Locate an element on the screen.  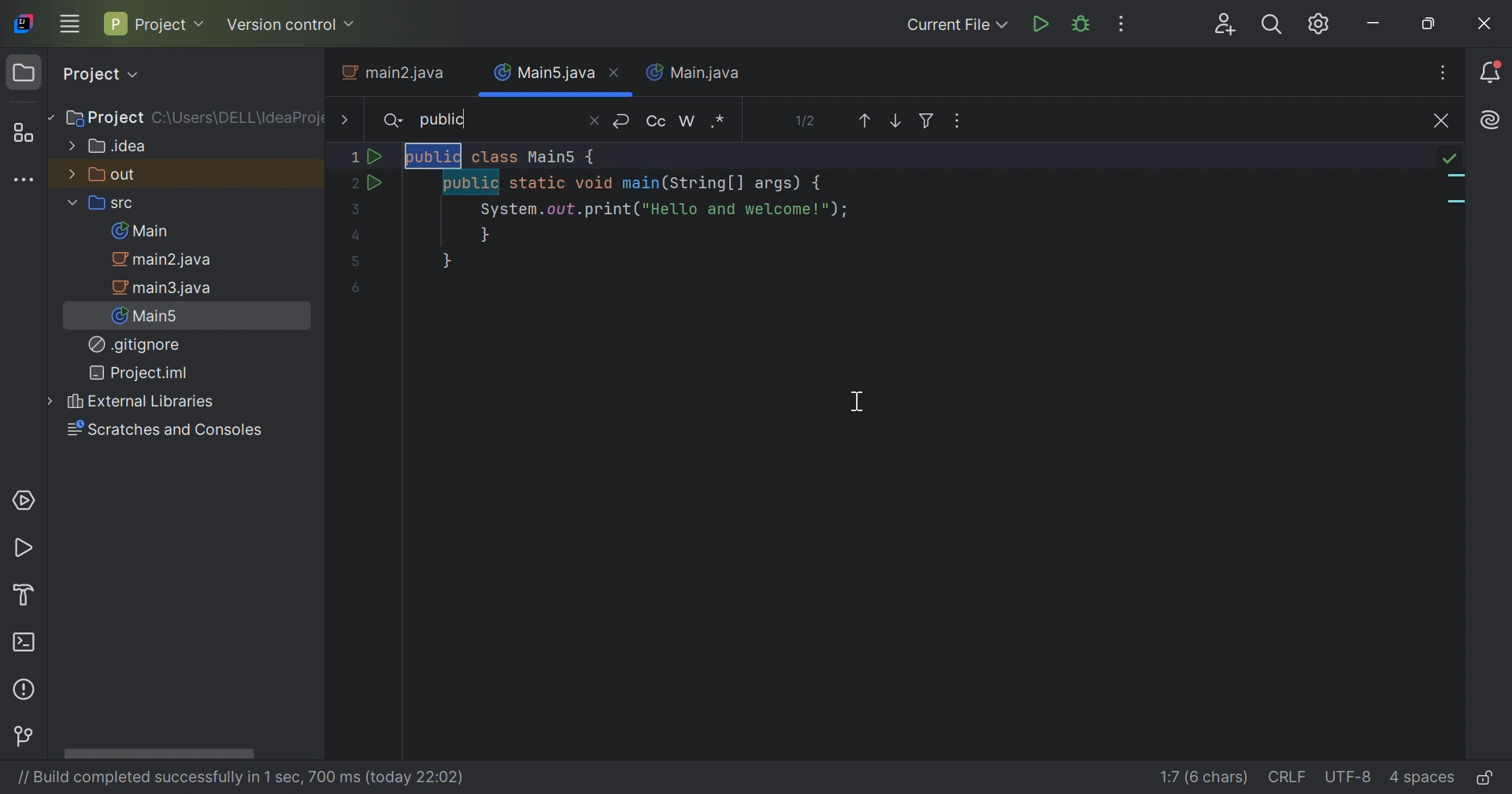
src is located at coordinates (103, 205).